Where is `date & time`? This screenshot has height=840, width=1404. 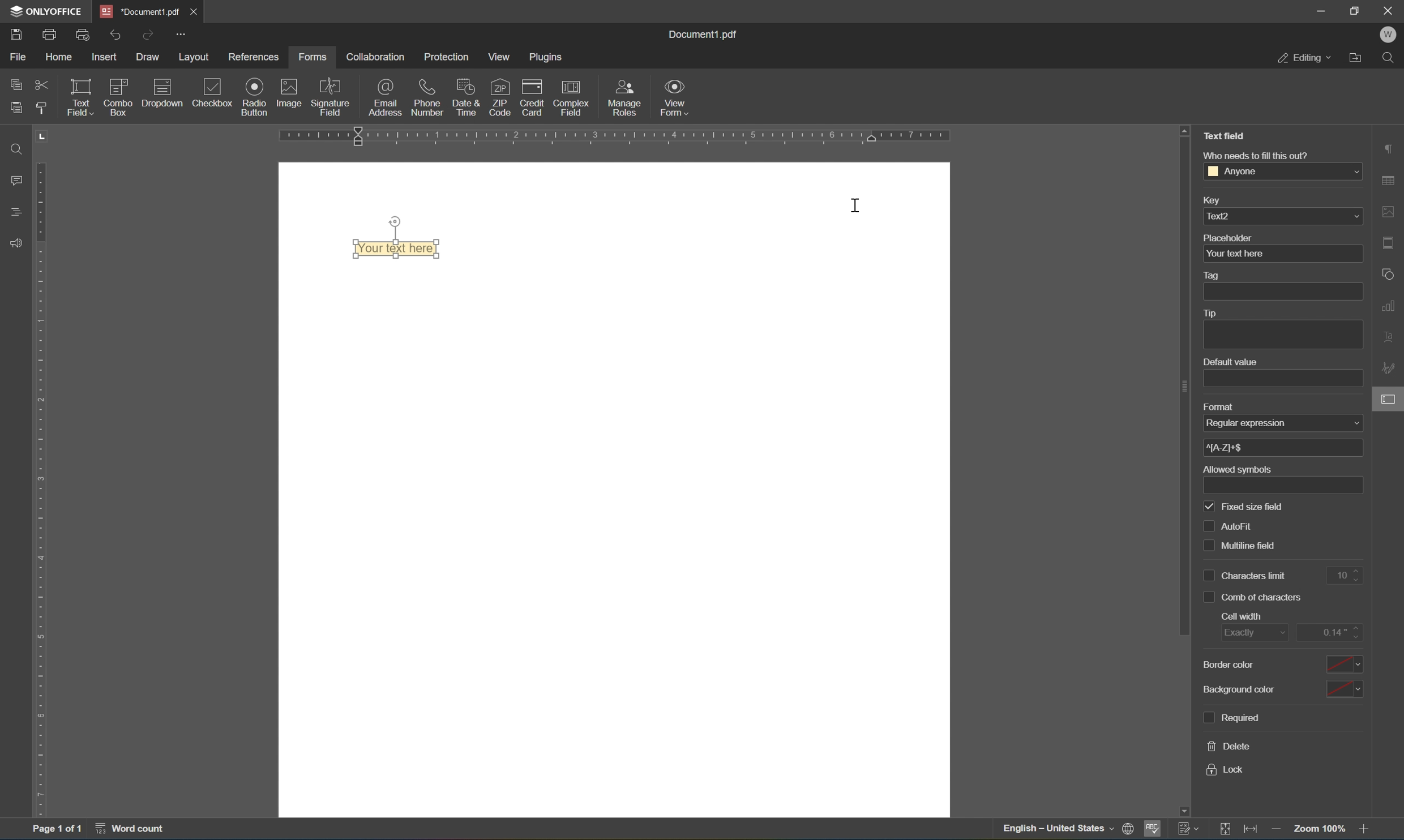 date & time is located at coordinates (466, 96).